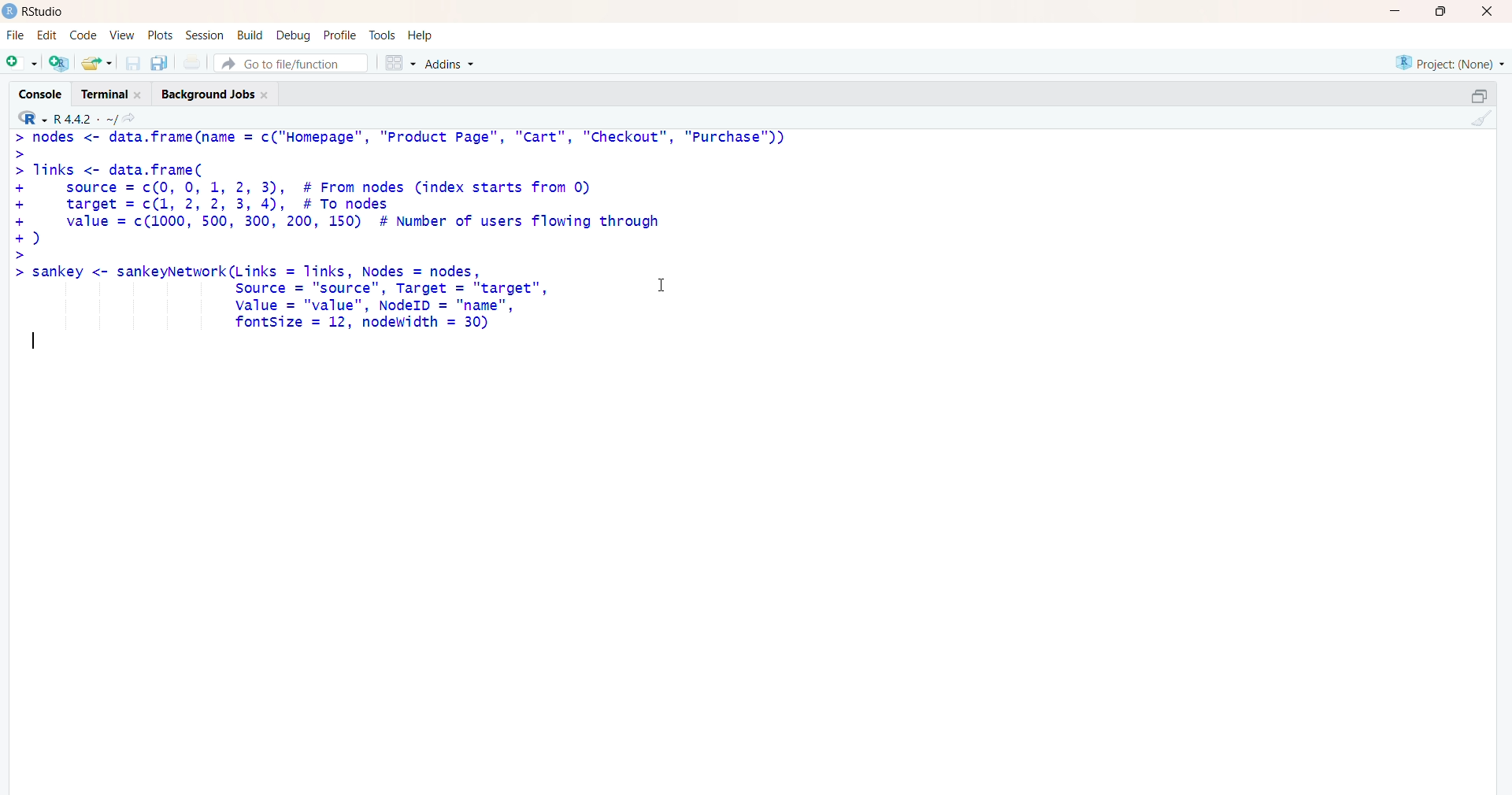 This screenshot has height=795, width=1512. Describe the element at coordinates (247, 35) in the screenshot. I see `build` at that location.